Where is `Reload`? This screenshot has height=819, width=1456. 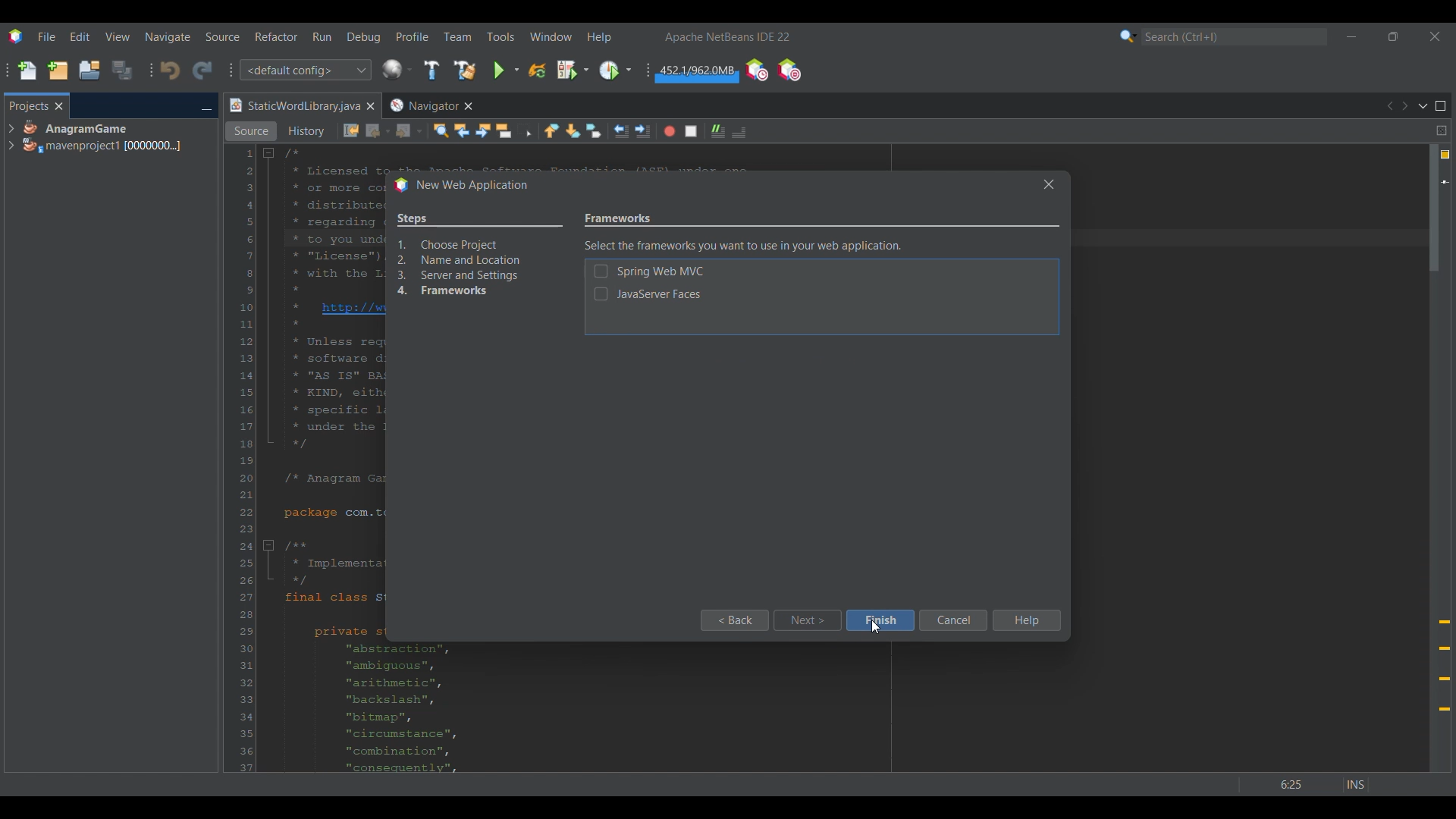
Reload is located at coordinates (537, 71).